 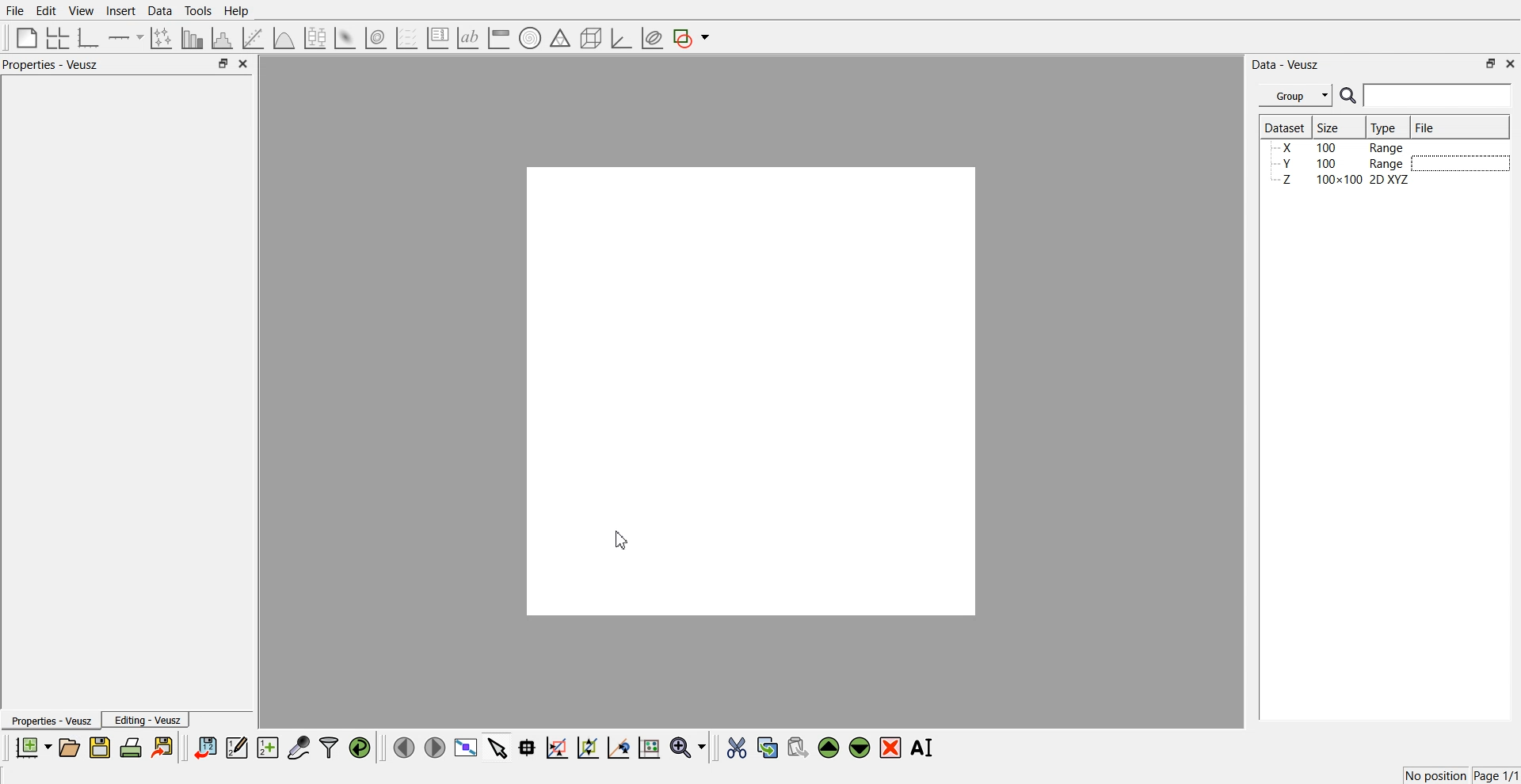 What do you see at coordinates (82, 11) in the screenshot?
I see `View` at bounding box center [82, 11].